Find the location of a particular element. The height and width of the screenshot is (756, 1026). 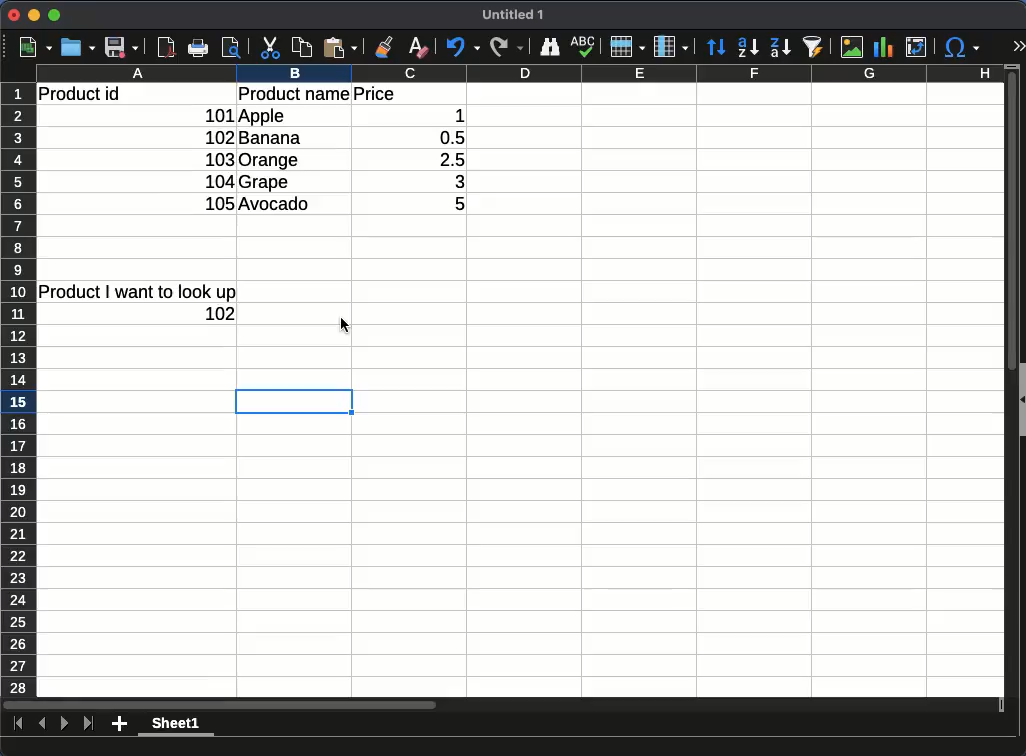

column is located at coordinates (520, 73).